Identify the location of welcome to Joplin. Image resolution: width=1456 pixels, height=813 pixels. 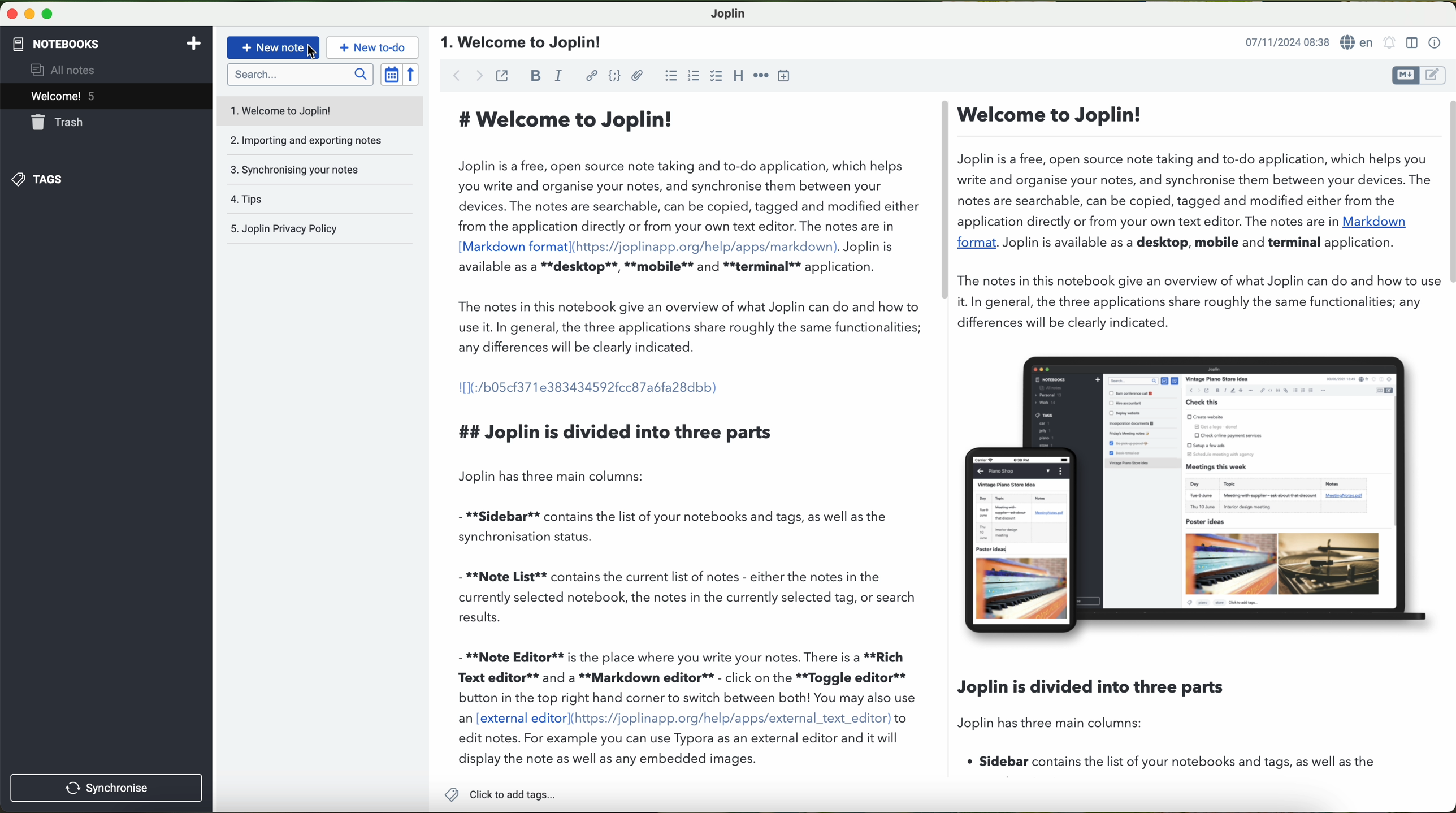
(320, 110).